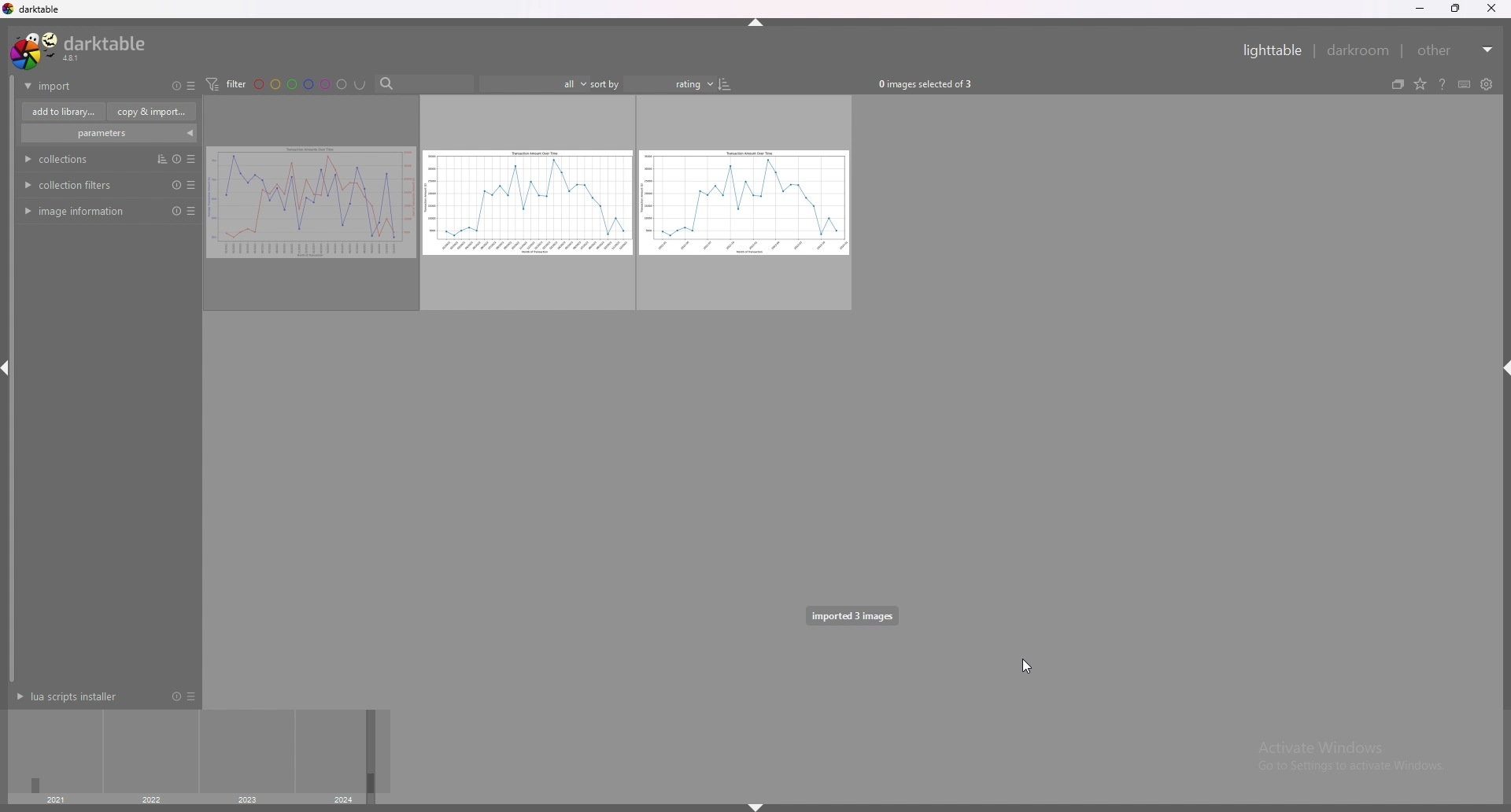  What do you see at coordinates (63, 159) in the screenshot?
I see `collections` at bounding box center [63, 159].